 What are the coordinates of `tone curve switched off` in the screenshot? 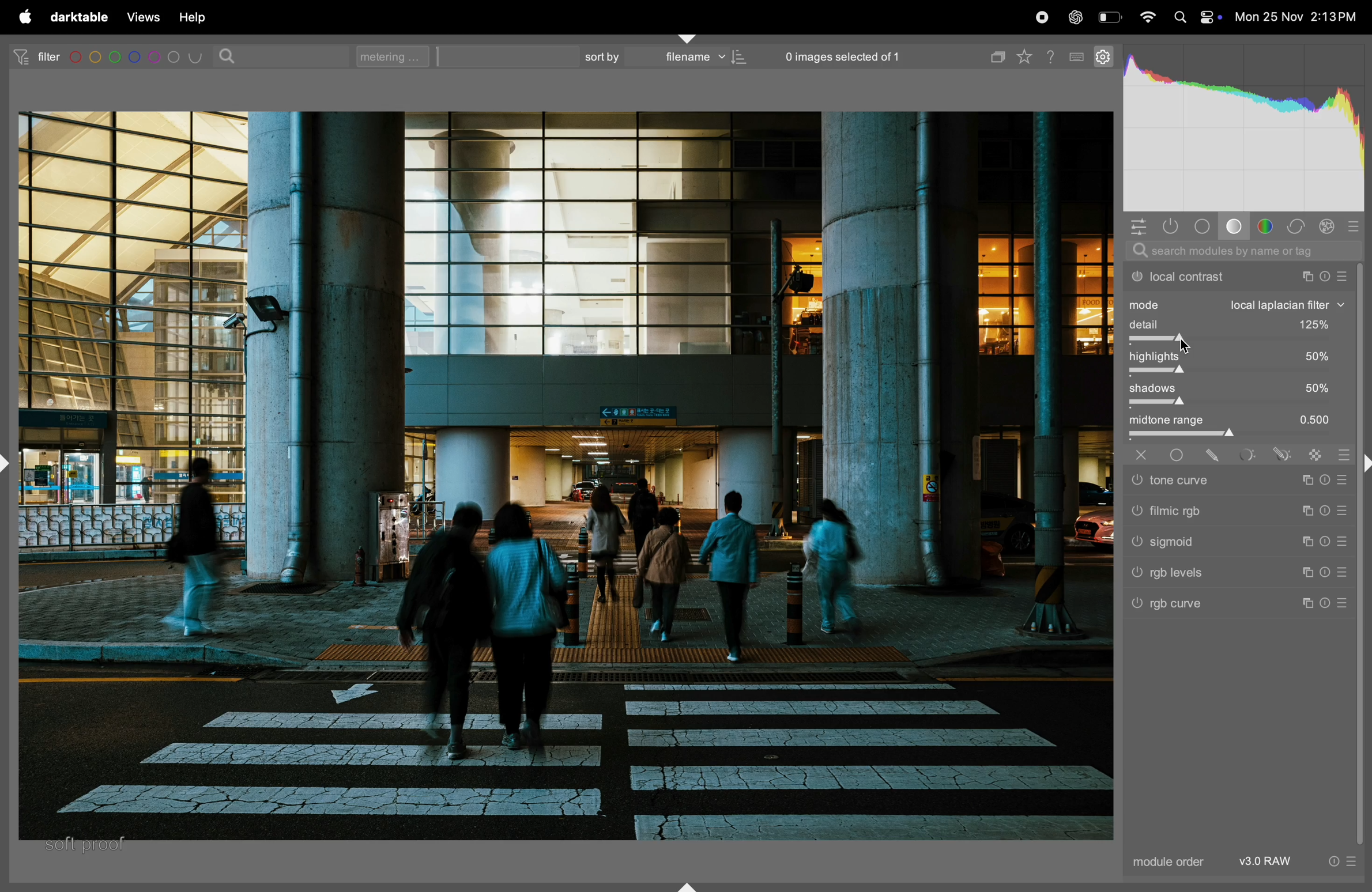 It's located at (1136, 481).